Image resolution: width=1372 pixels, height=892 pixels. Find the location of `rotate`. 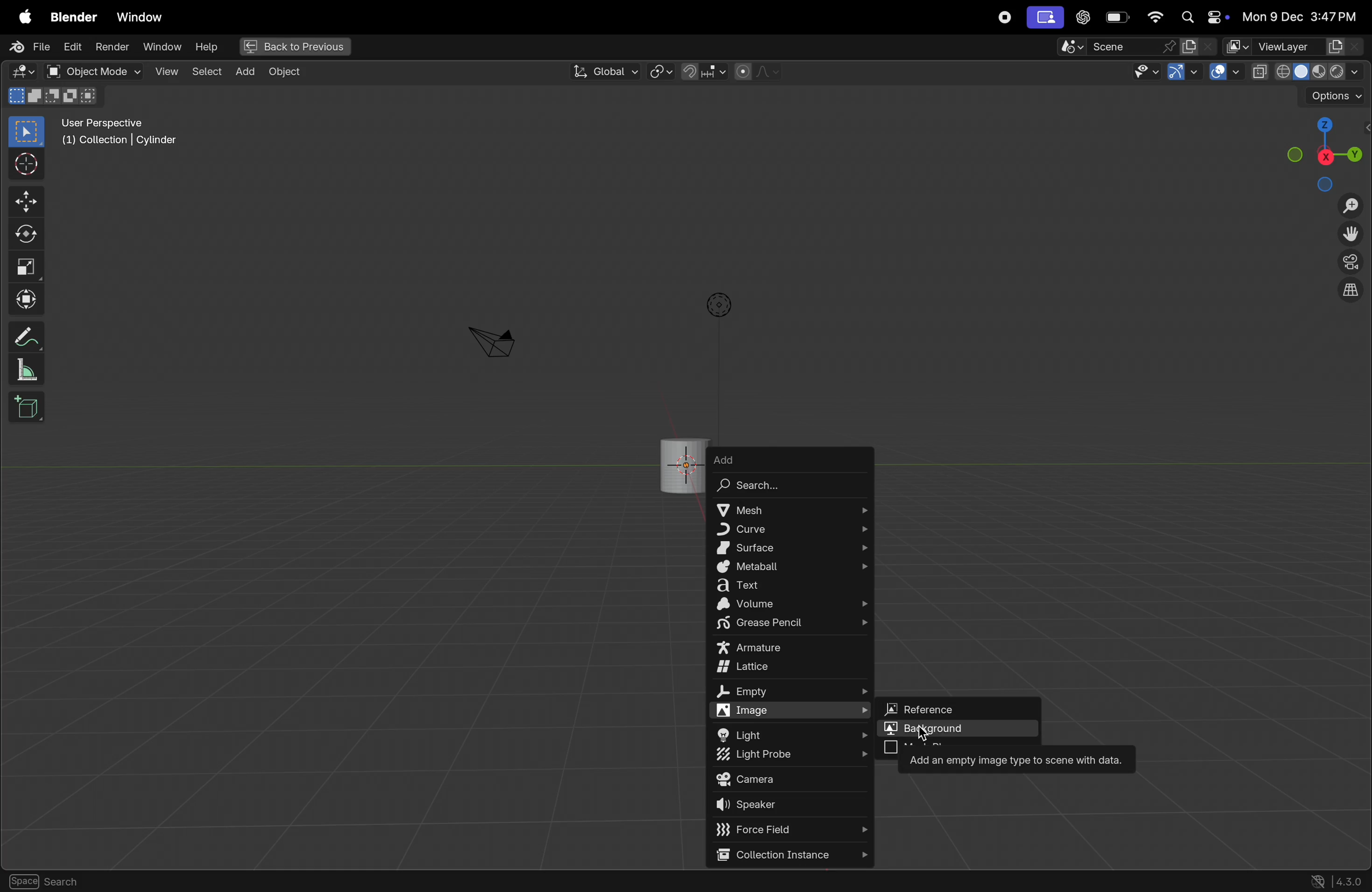

rotate is located at coordinates (24, 232).